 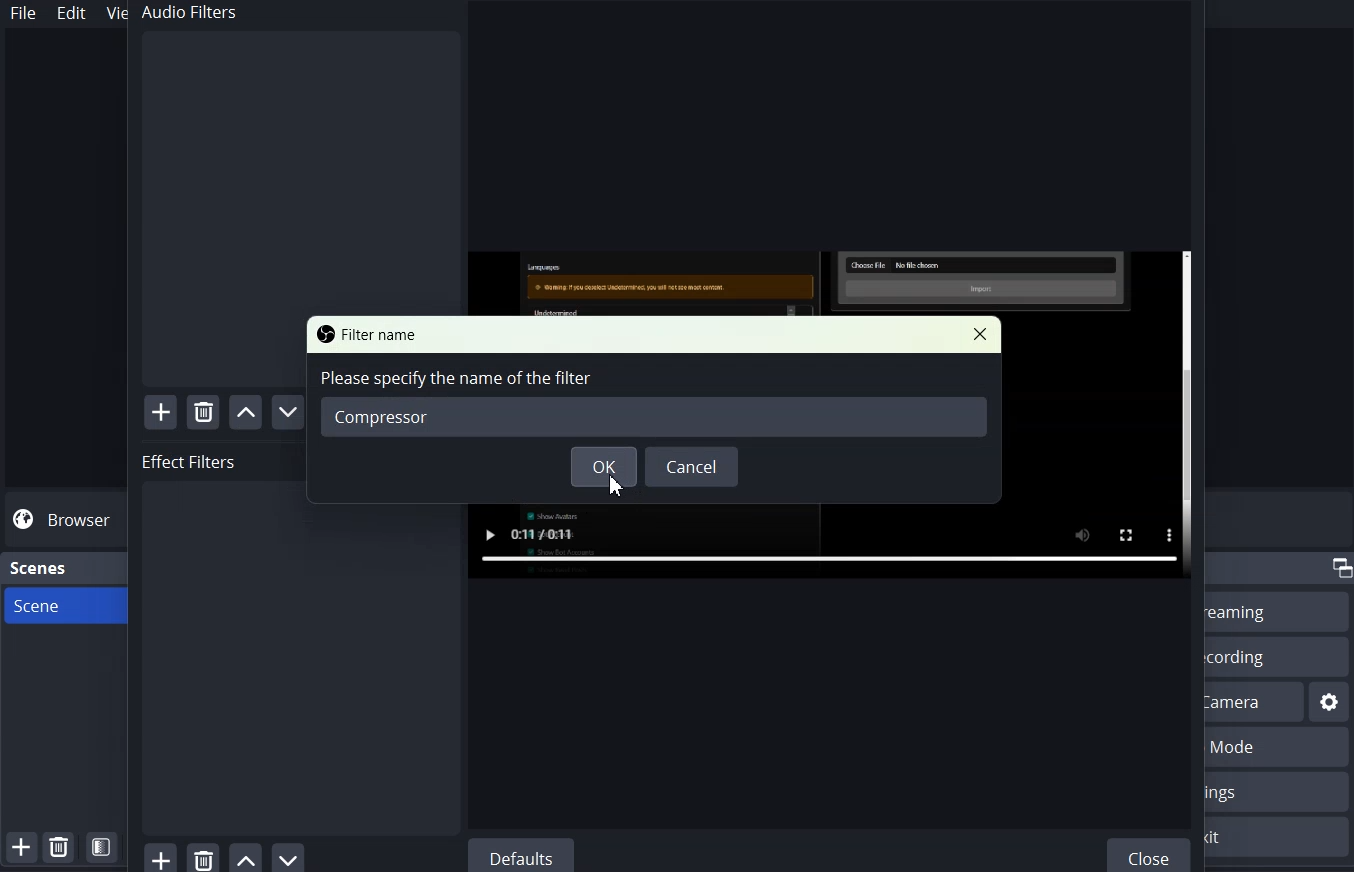 What do you see at coordinates (615, 487) in the screenshot?
I see `cursor` at bounding box center [615, 487].